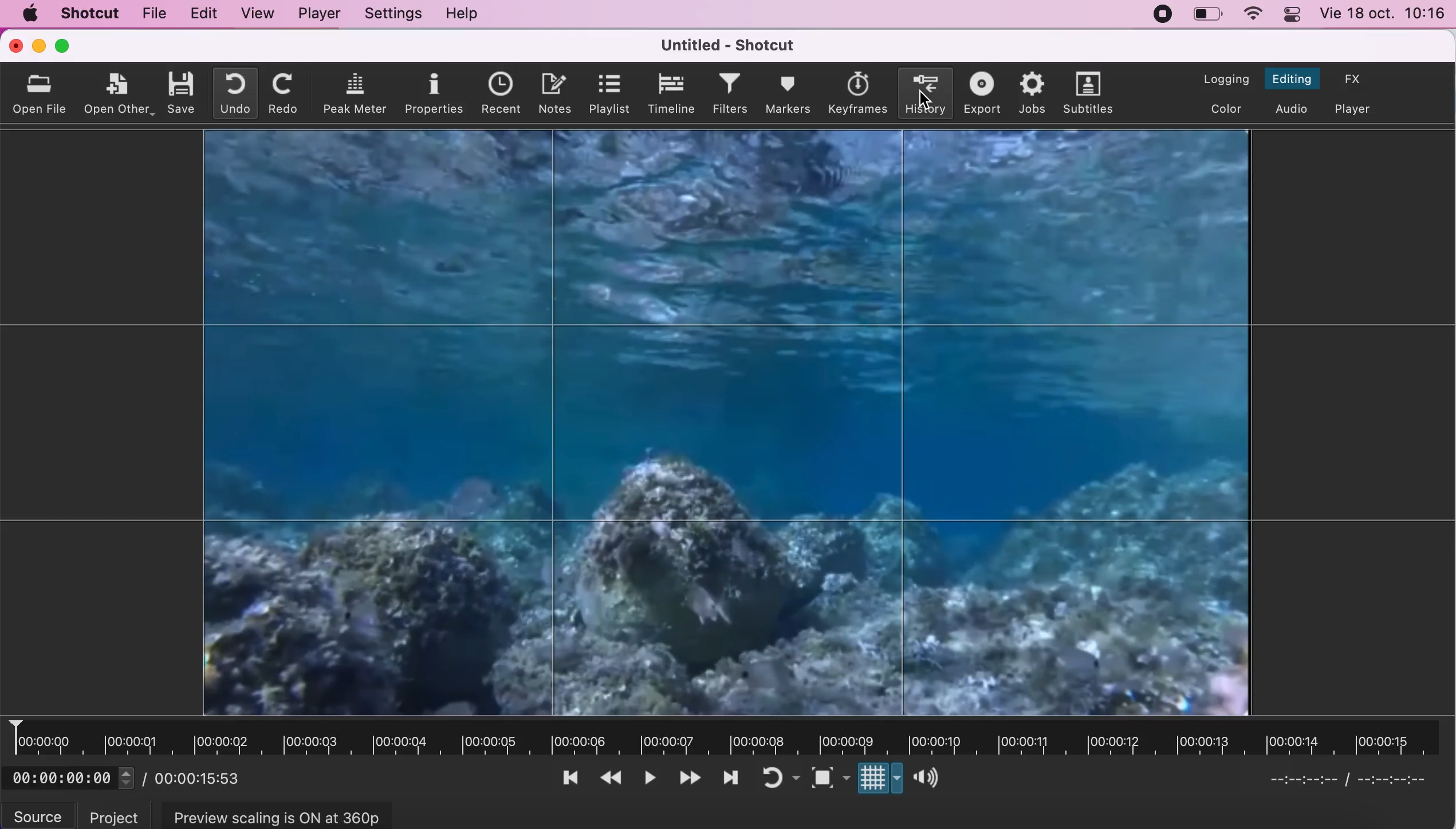 This screenshot has width=1456, height=829. I want to click on filters, so click(728, 93).